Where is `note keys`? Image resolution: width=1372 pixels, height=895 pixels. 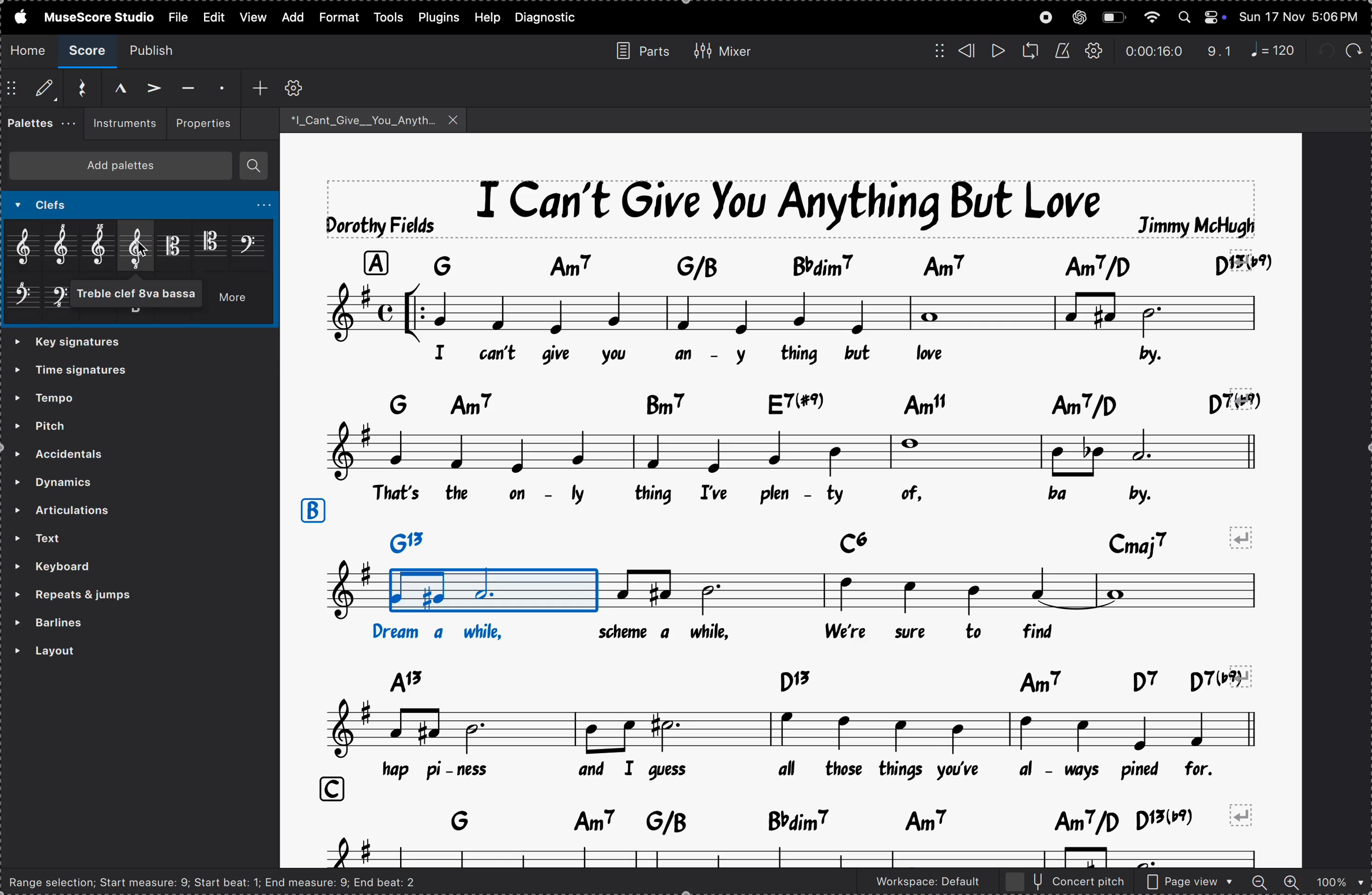
note keys is located at coordinates (805, 264).